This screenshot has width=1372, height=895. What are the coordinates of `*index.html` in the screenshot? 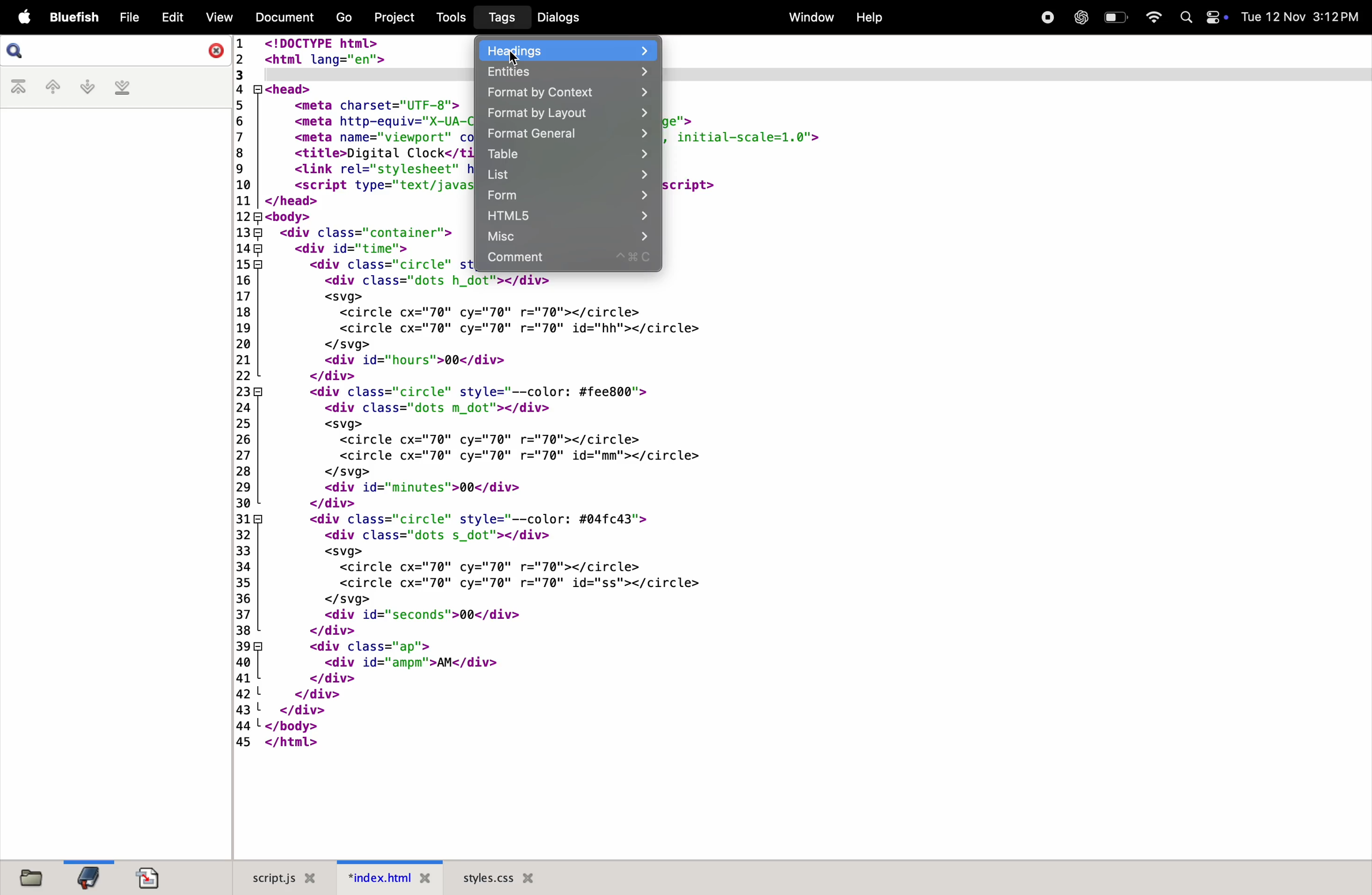 It's located at (385, 877).